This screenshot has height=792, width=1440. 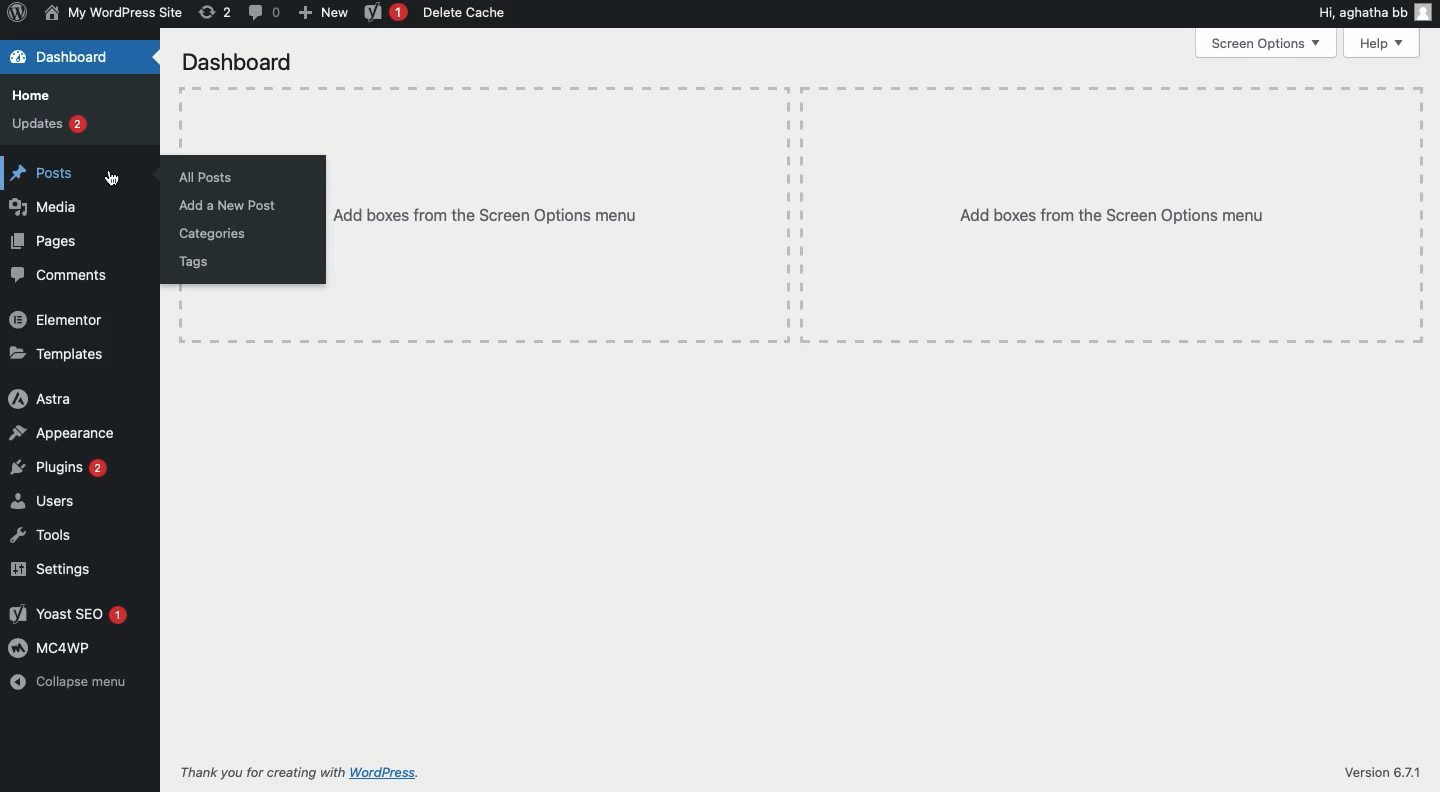 What do you see at coordinates (45, 242) in the screenshot?
I see `Pages` at bounding box center [45, 242].